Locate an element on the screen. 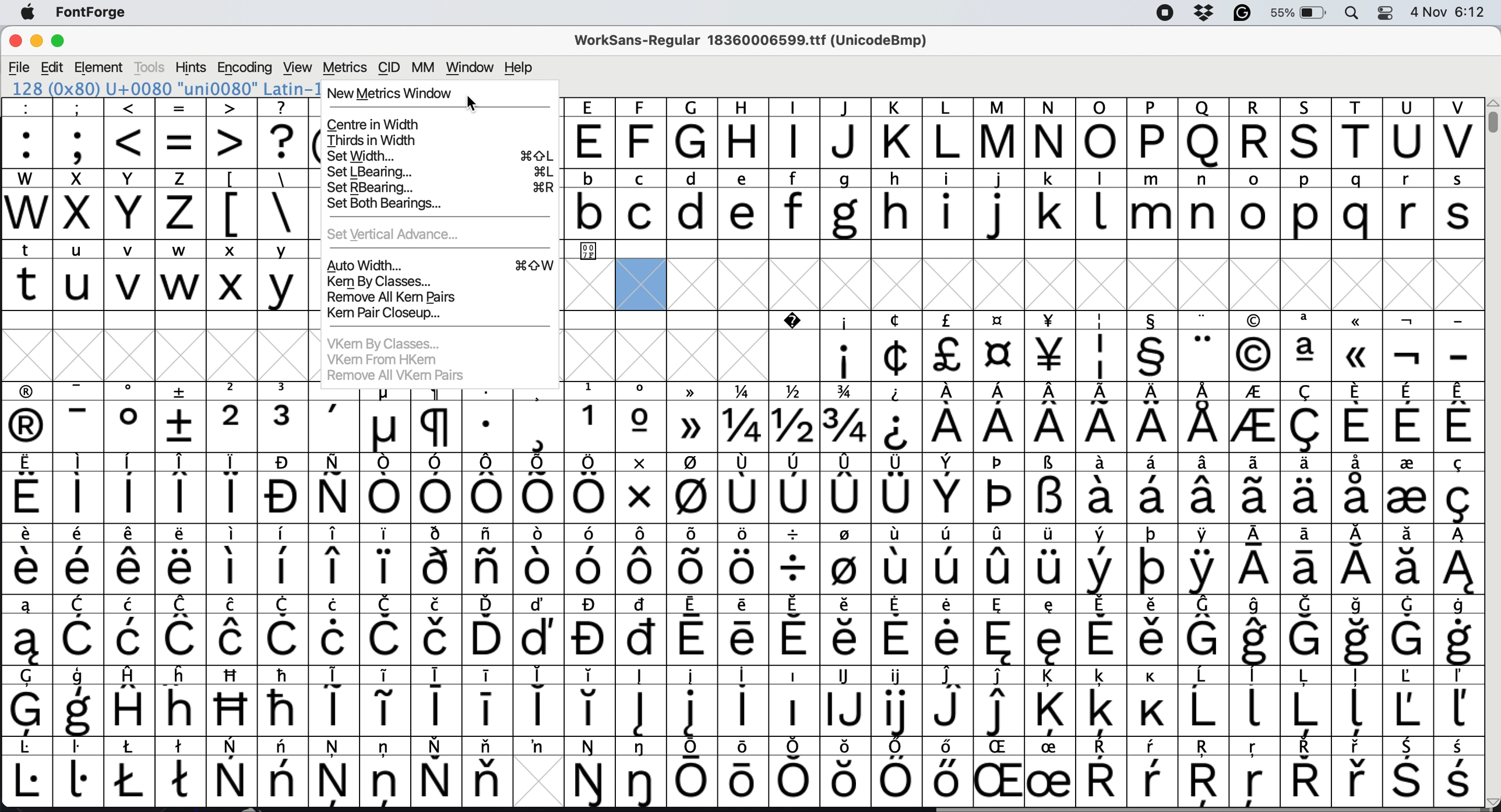 Image resolution: width=1501 pixels, height=812 pixels. special characters is located at coordinates (737, 462).